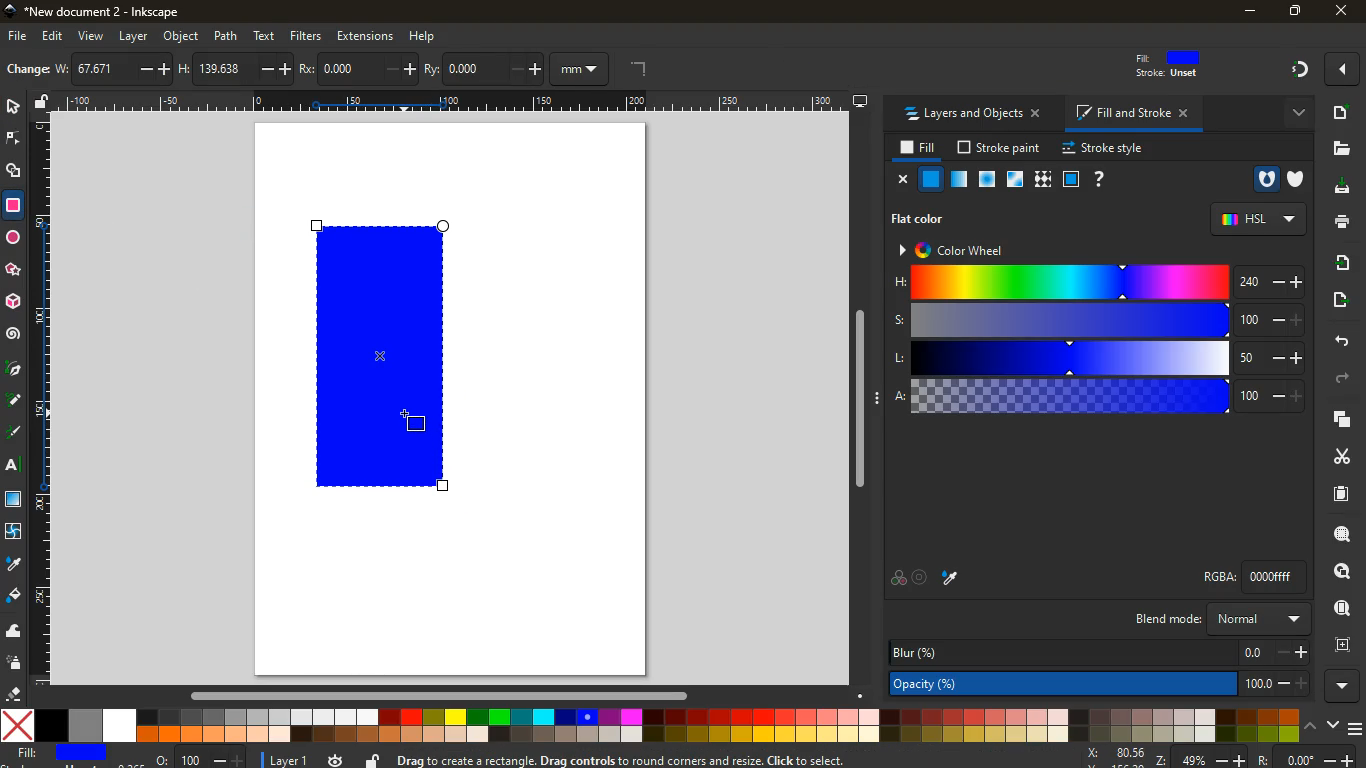 This screenshot has width=1366, height=768. What do you see at coordinates (15, 501) in the screenshot?
I see `window` at bounding box center [15, 501].